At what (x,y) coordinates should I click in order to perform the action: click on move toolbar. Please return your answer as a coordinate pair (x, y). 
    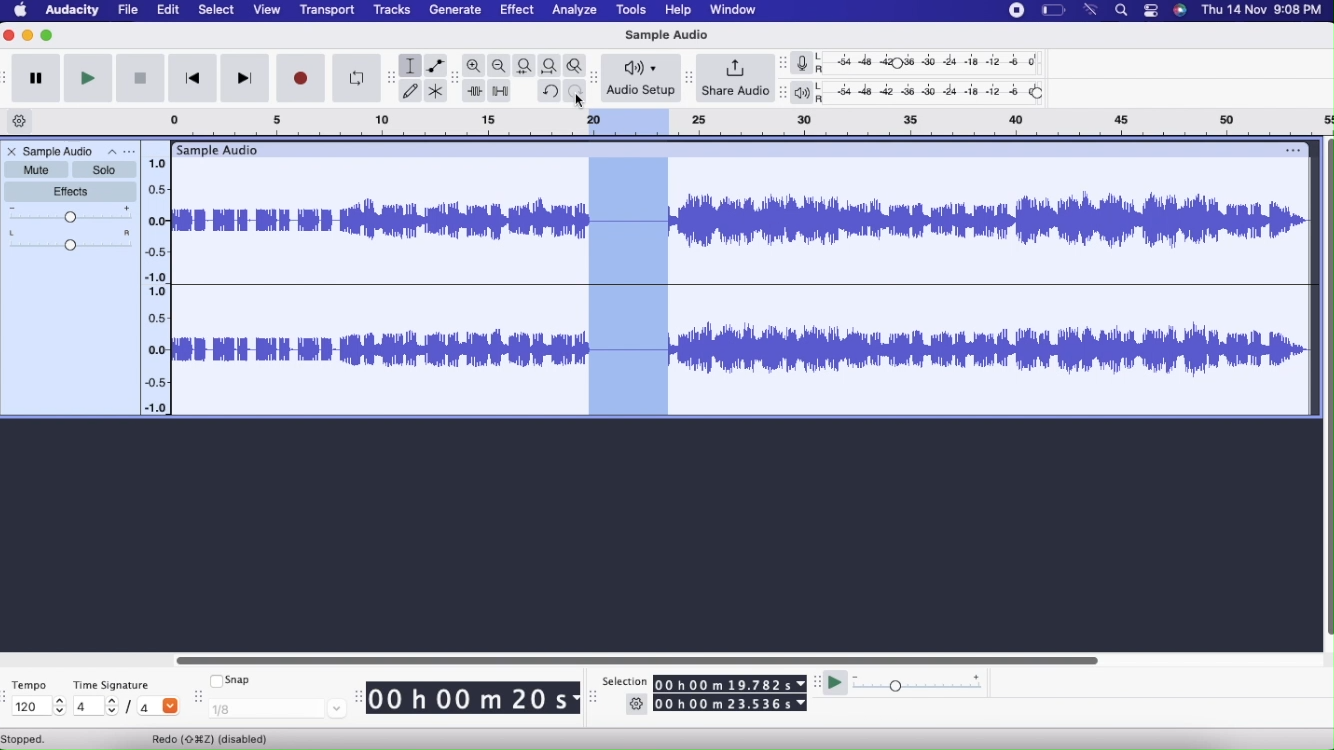
    Looking at the image, I should click on (816, 682).